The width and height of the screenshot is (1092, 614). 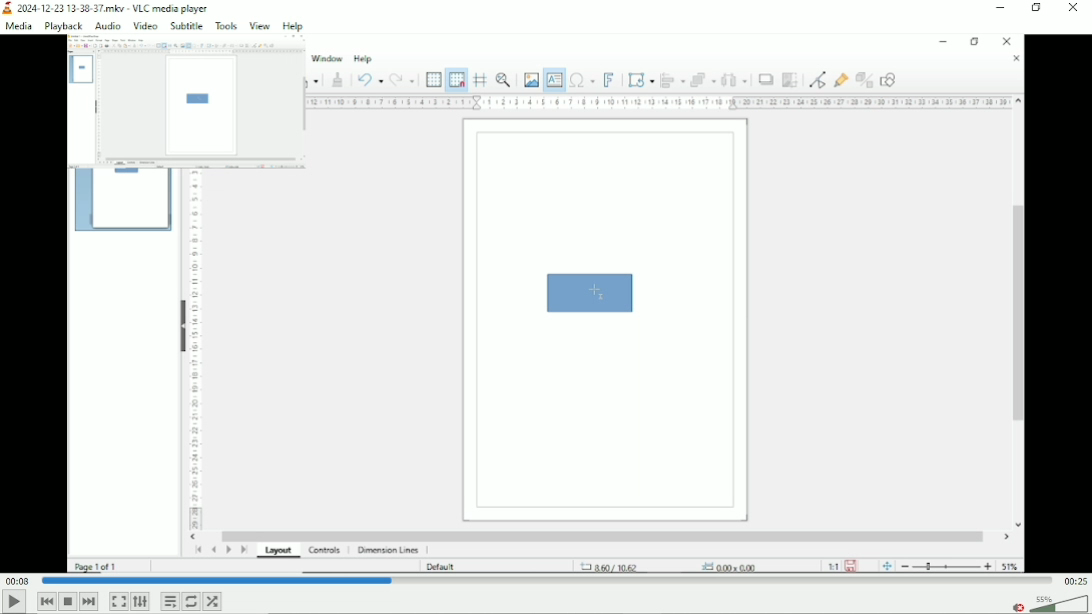 What do you see at coordinates (213, 601) in the screenshot?
I see `Random` at bounding box center [213, 601].